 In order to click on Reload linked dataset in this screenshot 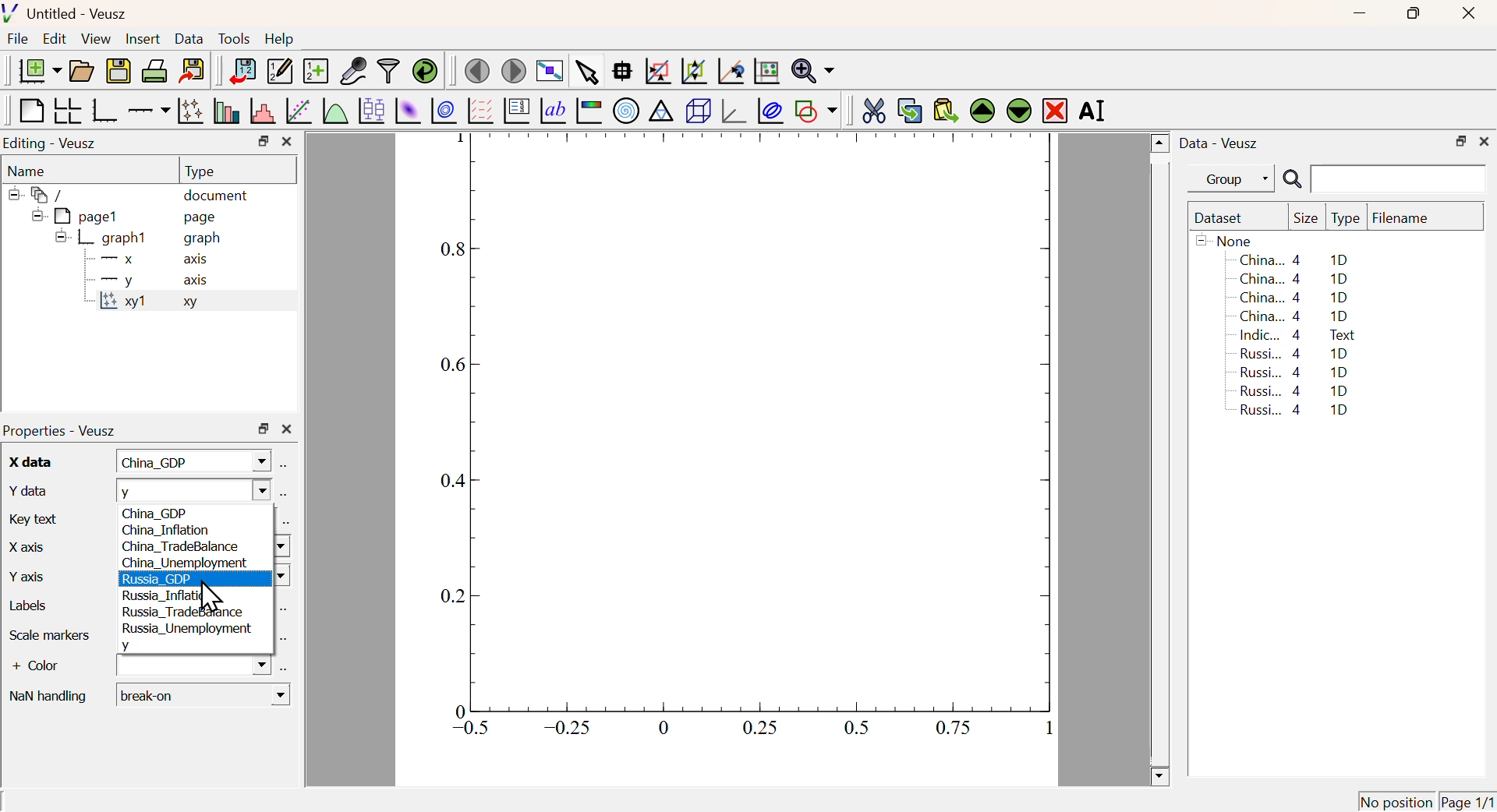, I will do `click(425, 69)`.